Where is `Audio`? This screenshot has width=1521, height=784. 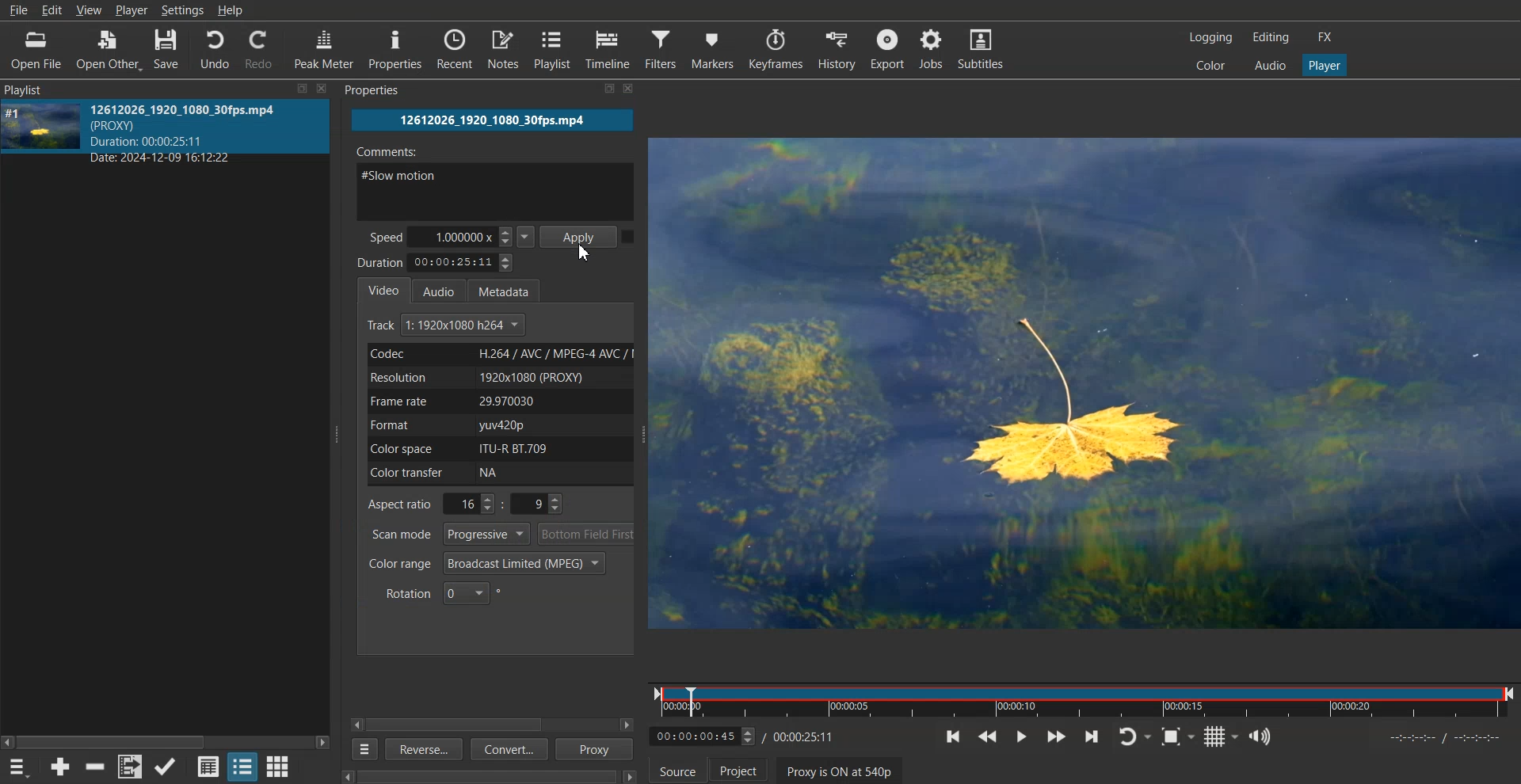 Audio is located at coordinates (444, 290).